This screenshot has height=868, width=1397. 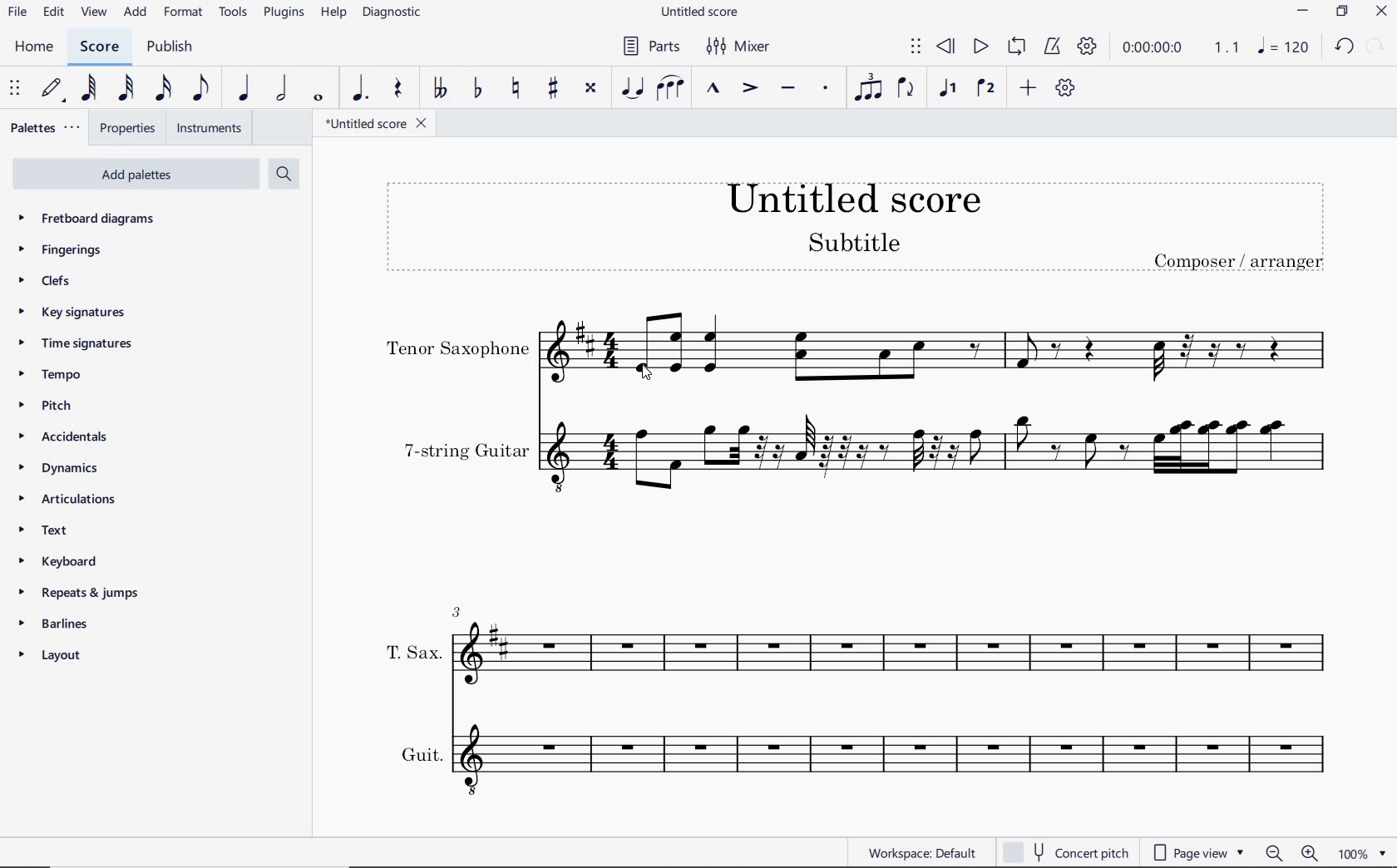 I want to click on TEMPO, so click(x=49, y=374).